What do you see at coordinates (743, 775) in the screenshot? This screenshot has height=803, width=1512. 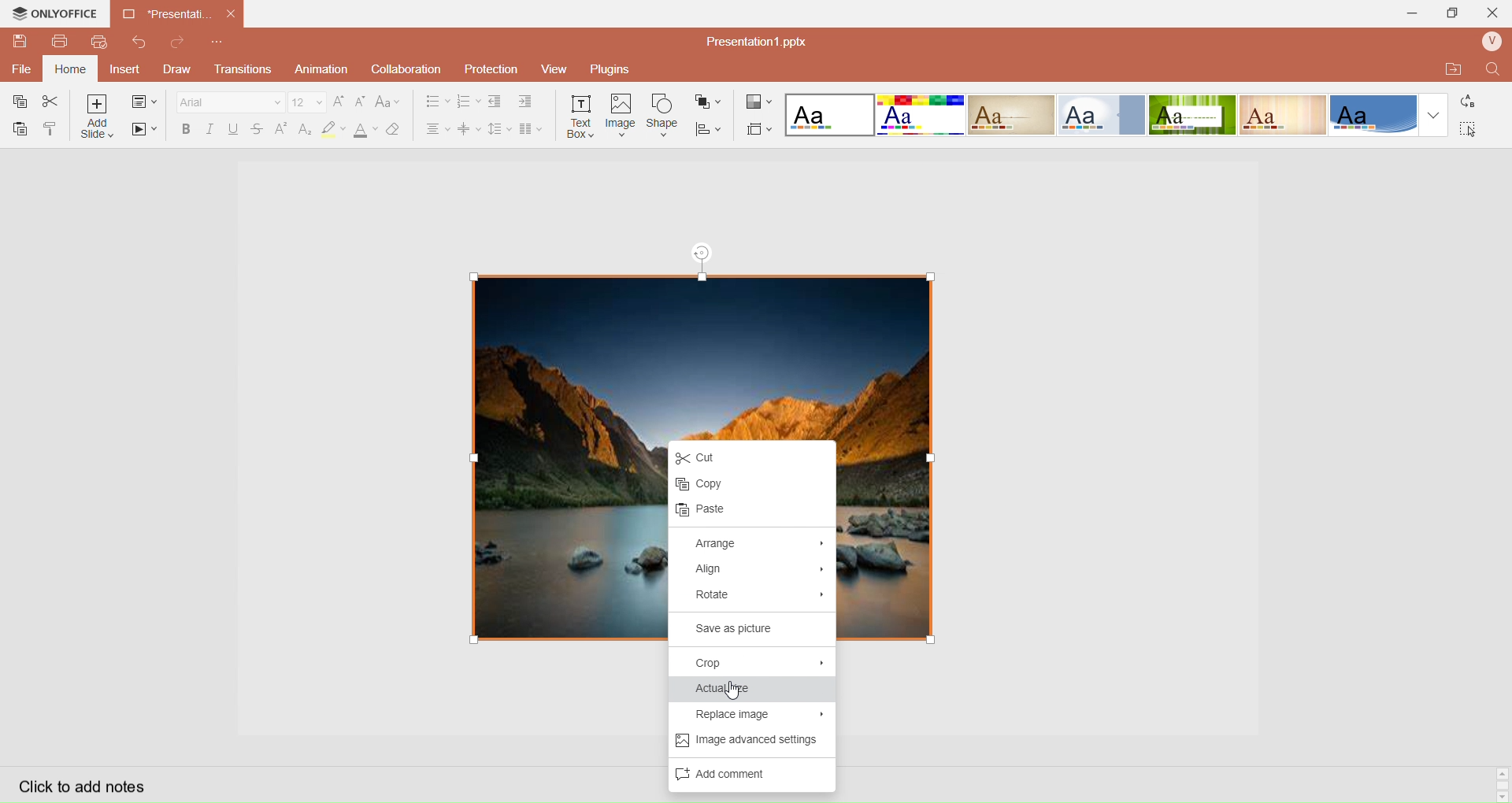 I see `Add Comments` at bounding box center [743, 775].